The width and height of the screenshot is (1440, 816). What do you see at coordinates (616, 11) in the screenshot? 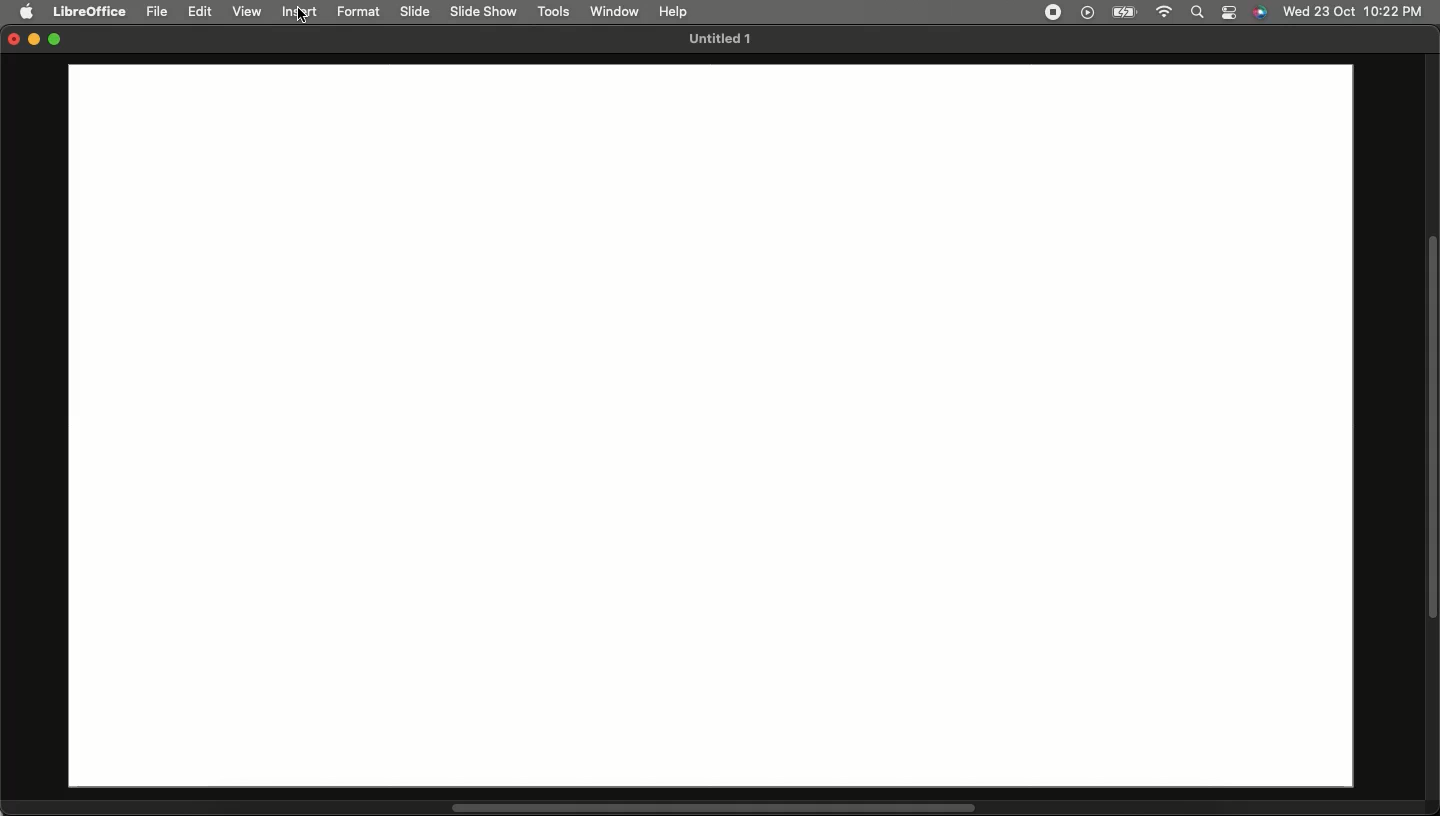
I see `Window` at bounding box center [616, 11].